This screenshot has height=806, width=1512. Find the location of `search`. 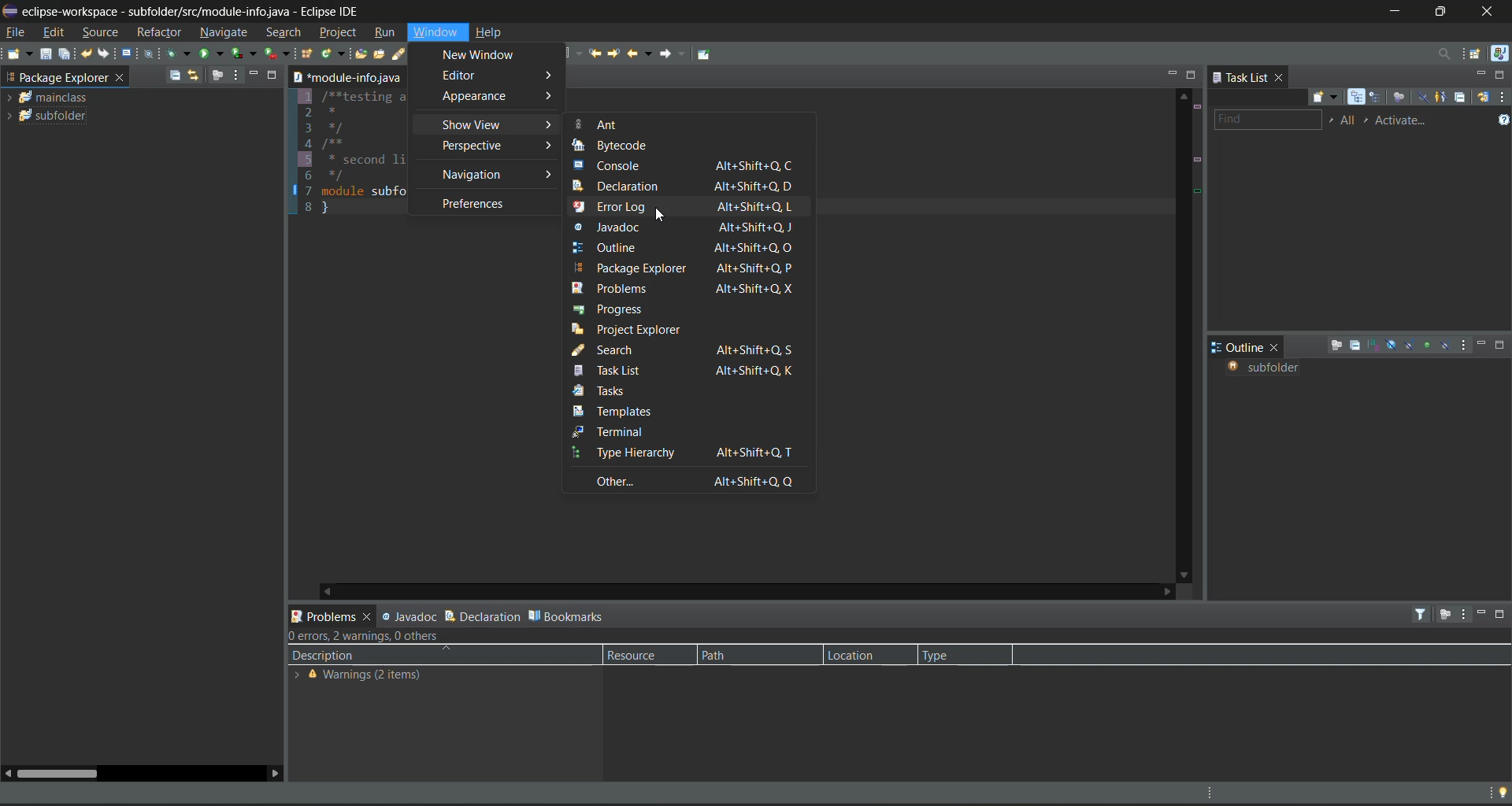

search is located at coordinates (287, 33).